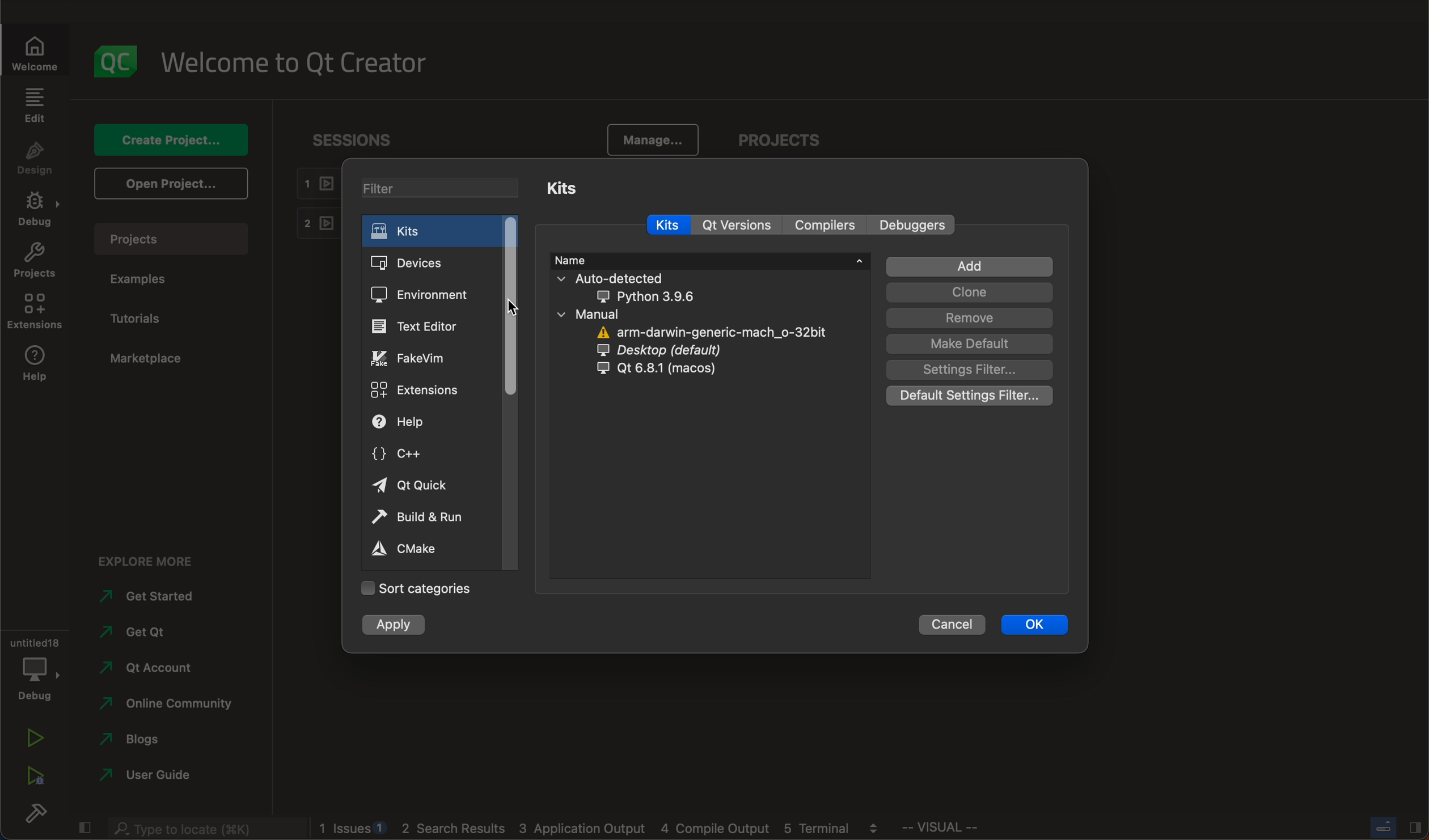 The height and width of the screenshot is (840, 1429). What do you see at coordinates (1030, 624) in the screenshot?
I see `ok` at bounding box center [1030, 624].